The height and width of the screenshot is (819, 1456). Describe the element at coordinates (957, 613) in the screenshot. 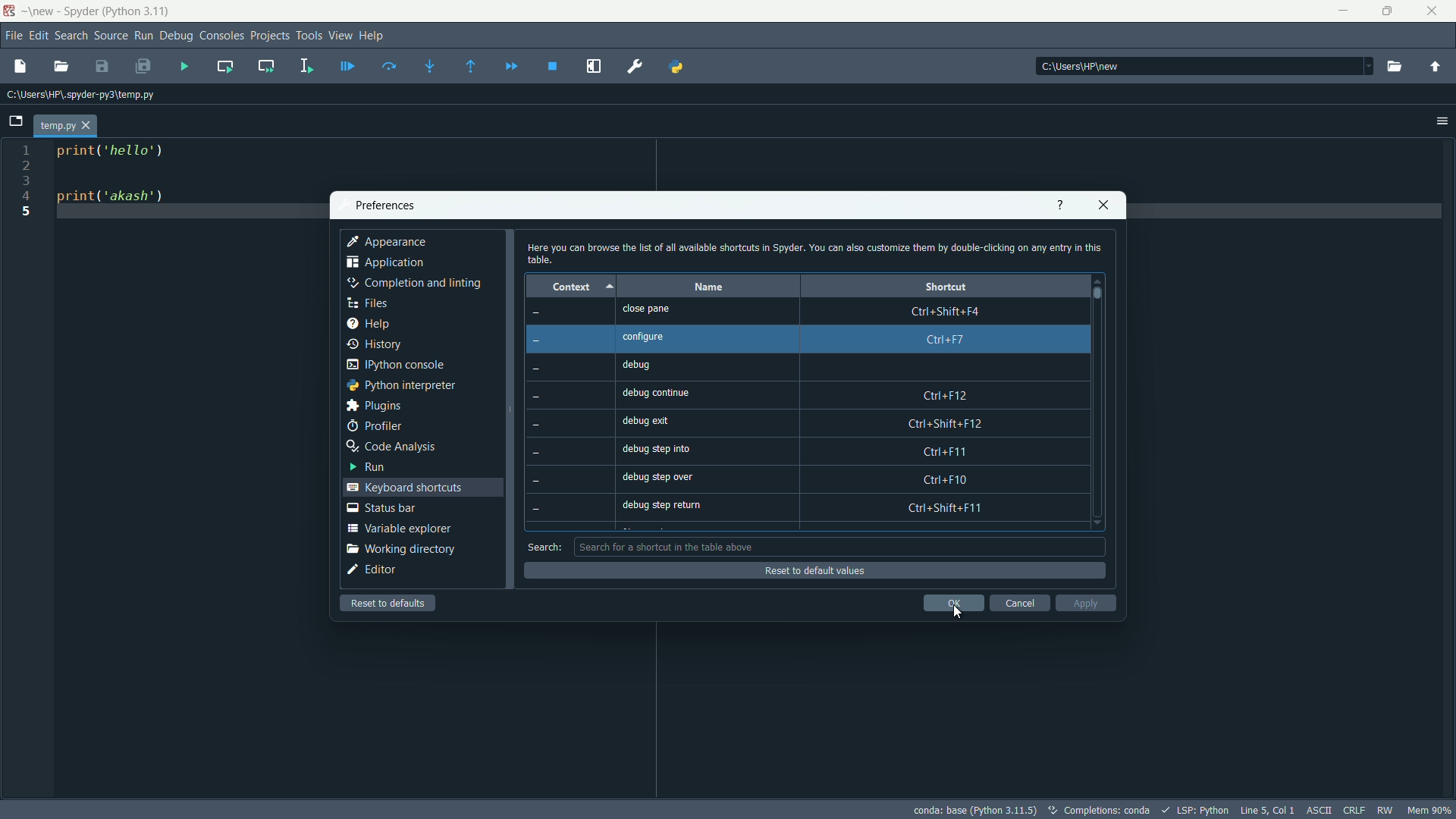

I see `cursor` at that location.